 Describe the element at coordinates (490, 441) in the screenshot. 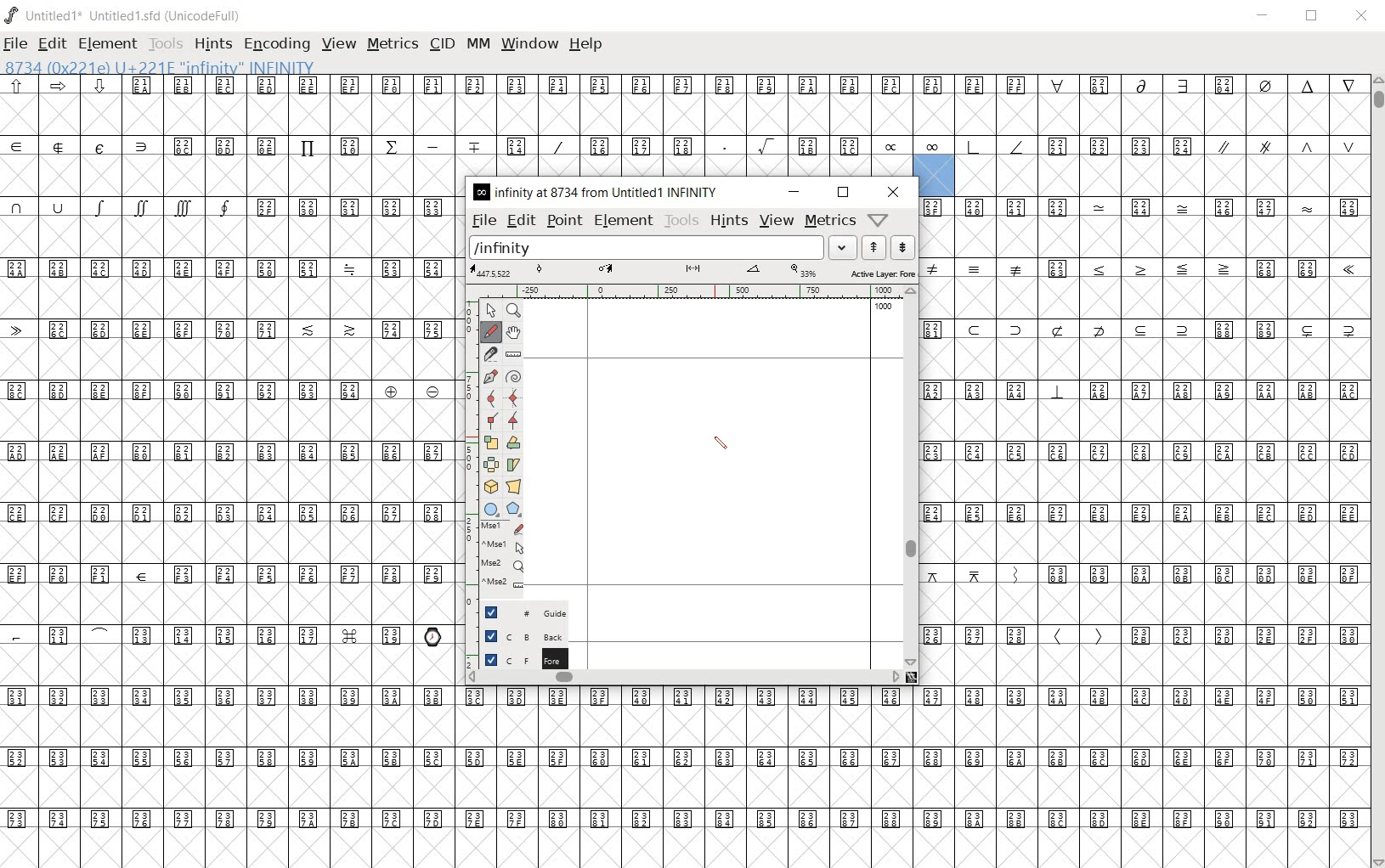

I see `scale the selection` at that location.